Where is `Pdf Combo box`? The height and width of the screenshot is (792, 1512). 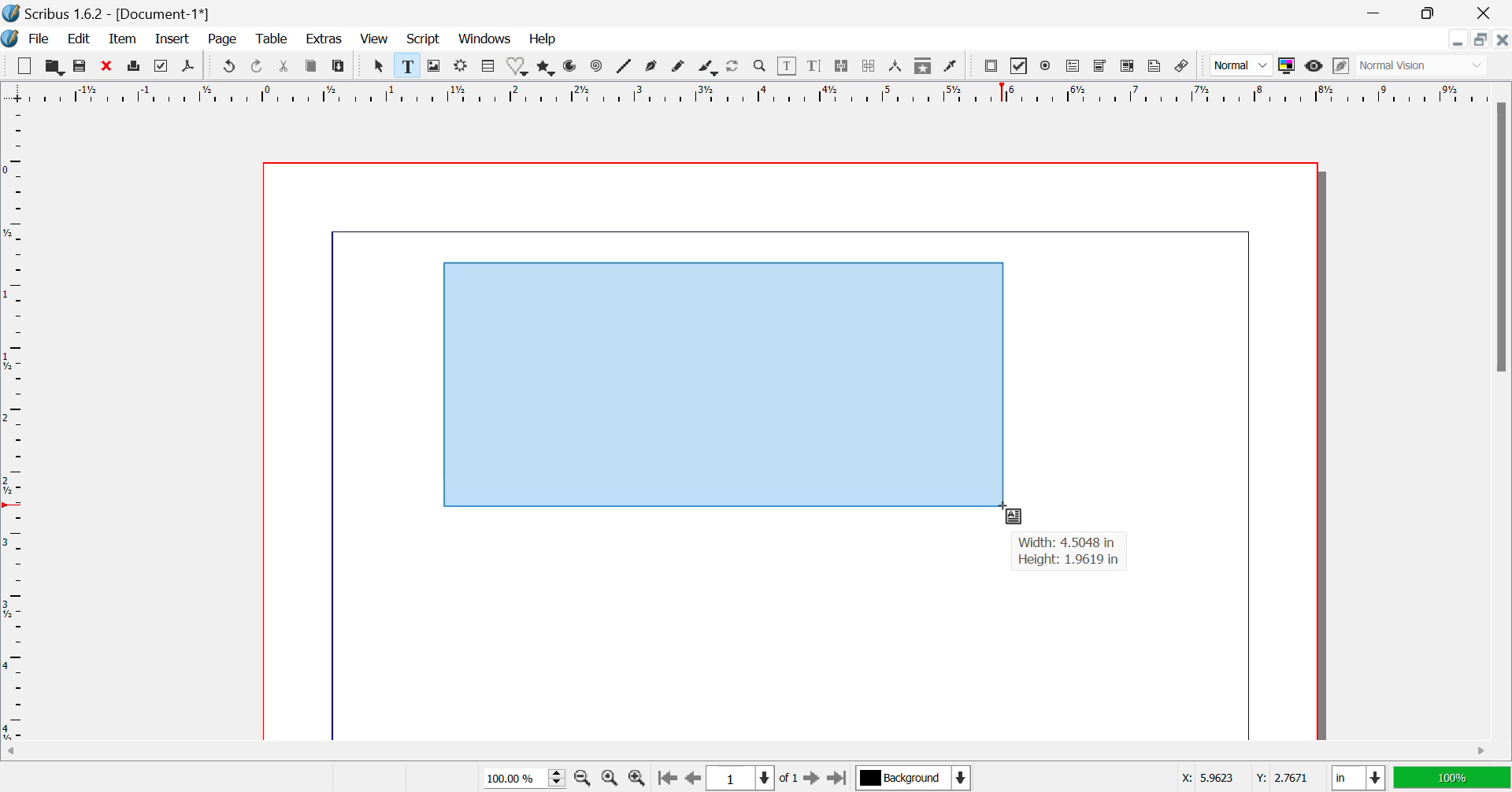
Pdf Combo box is located at coordinates (1101, 68).